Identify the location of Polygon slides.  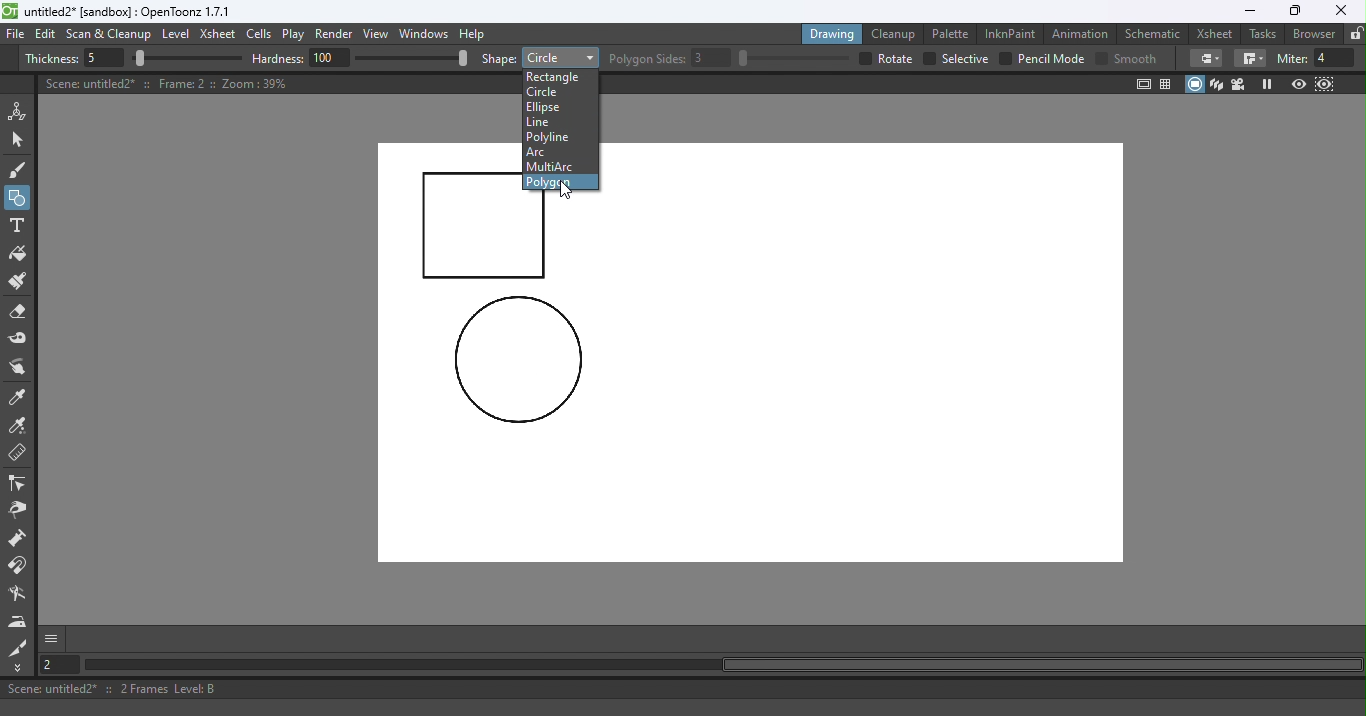
(647, 59).